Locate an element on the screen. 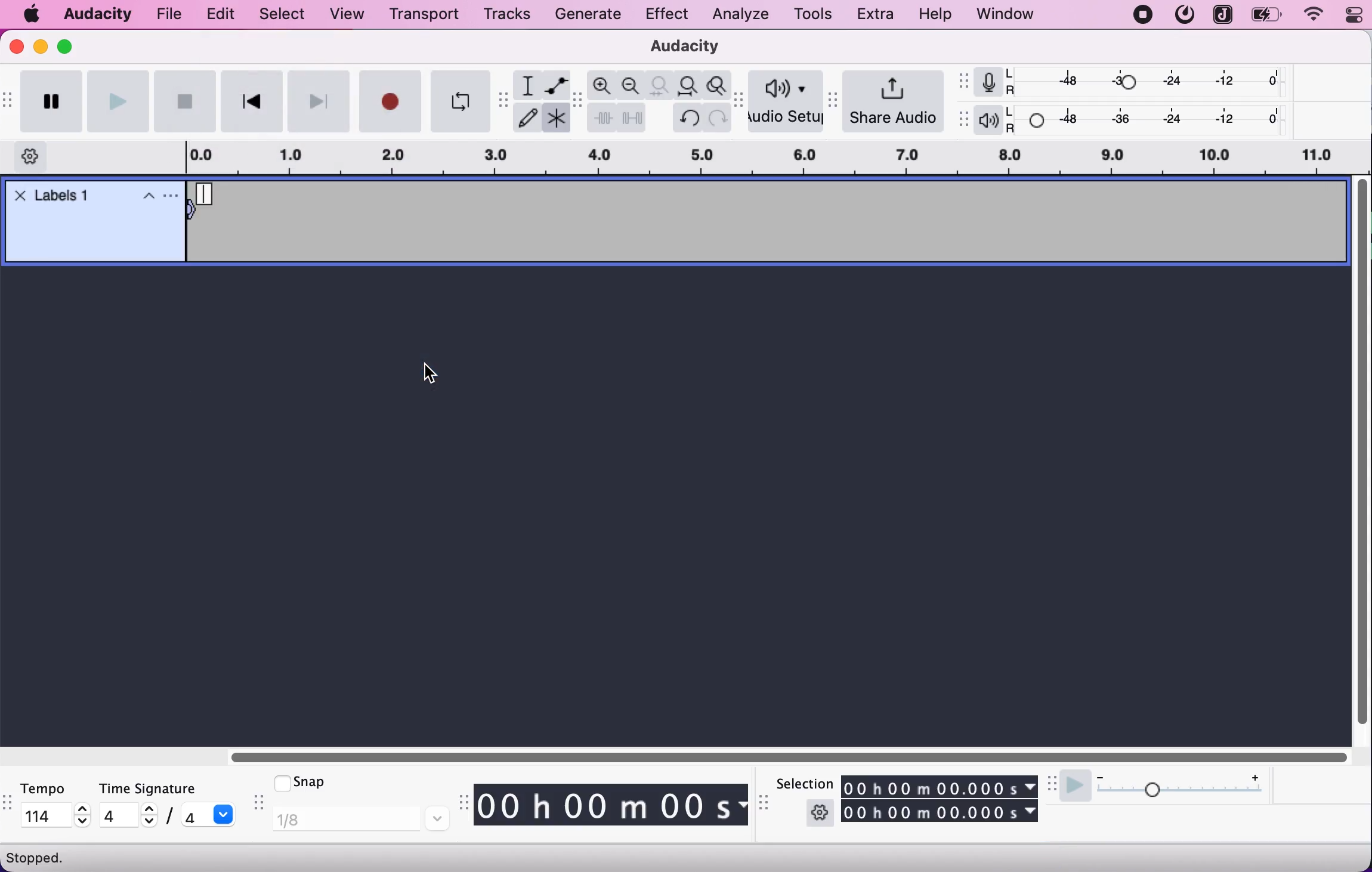 This screenshot has height=872, width=1372. horizontal slider is located at coordinates (799, 756).